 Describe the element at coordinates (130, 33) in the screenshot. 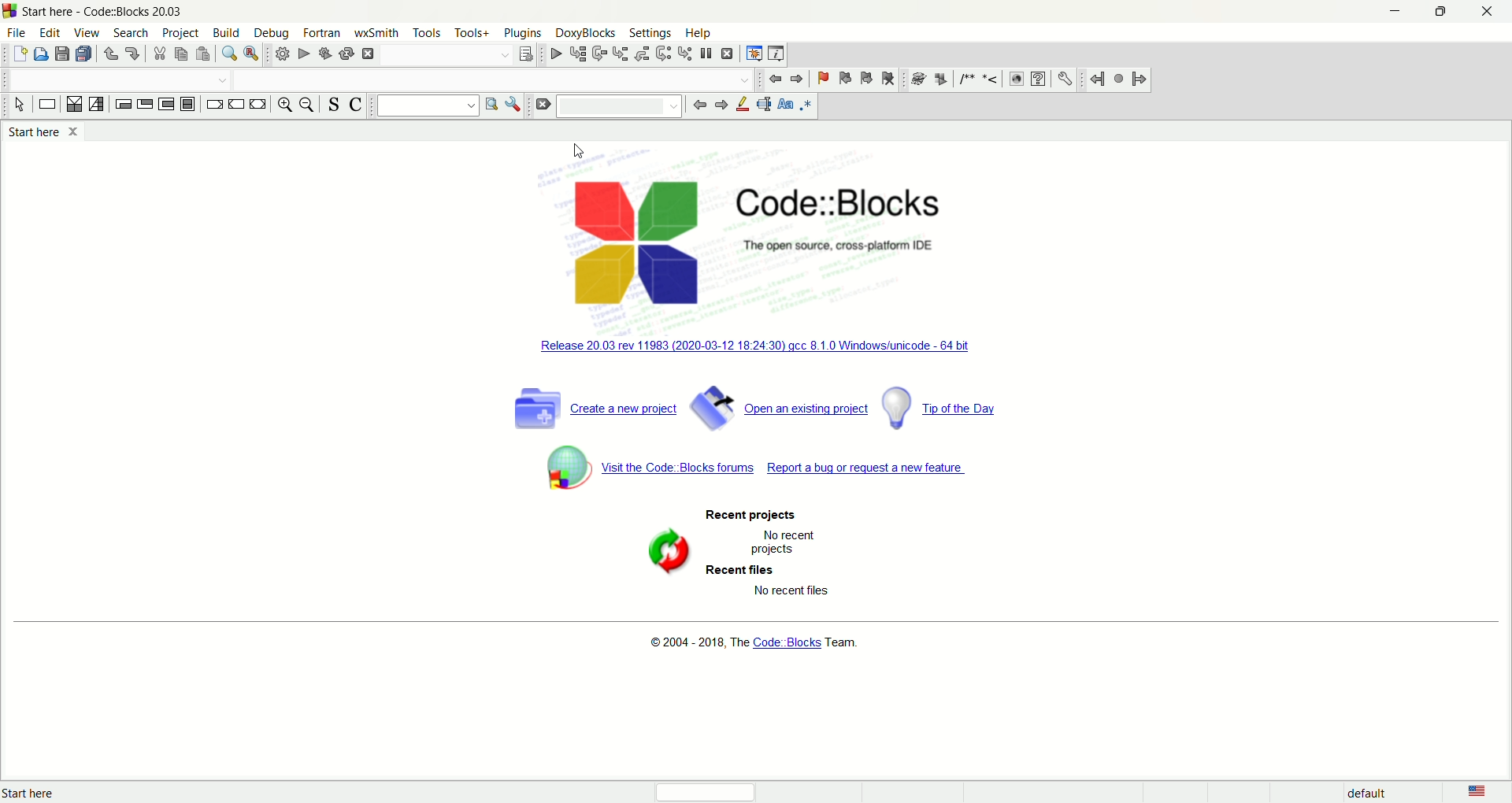

I see `search` at that location.